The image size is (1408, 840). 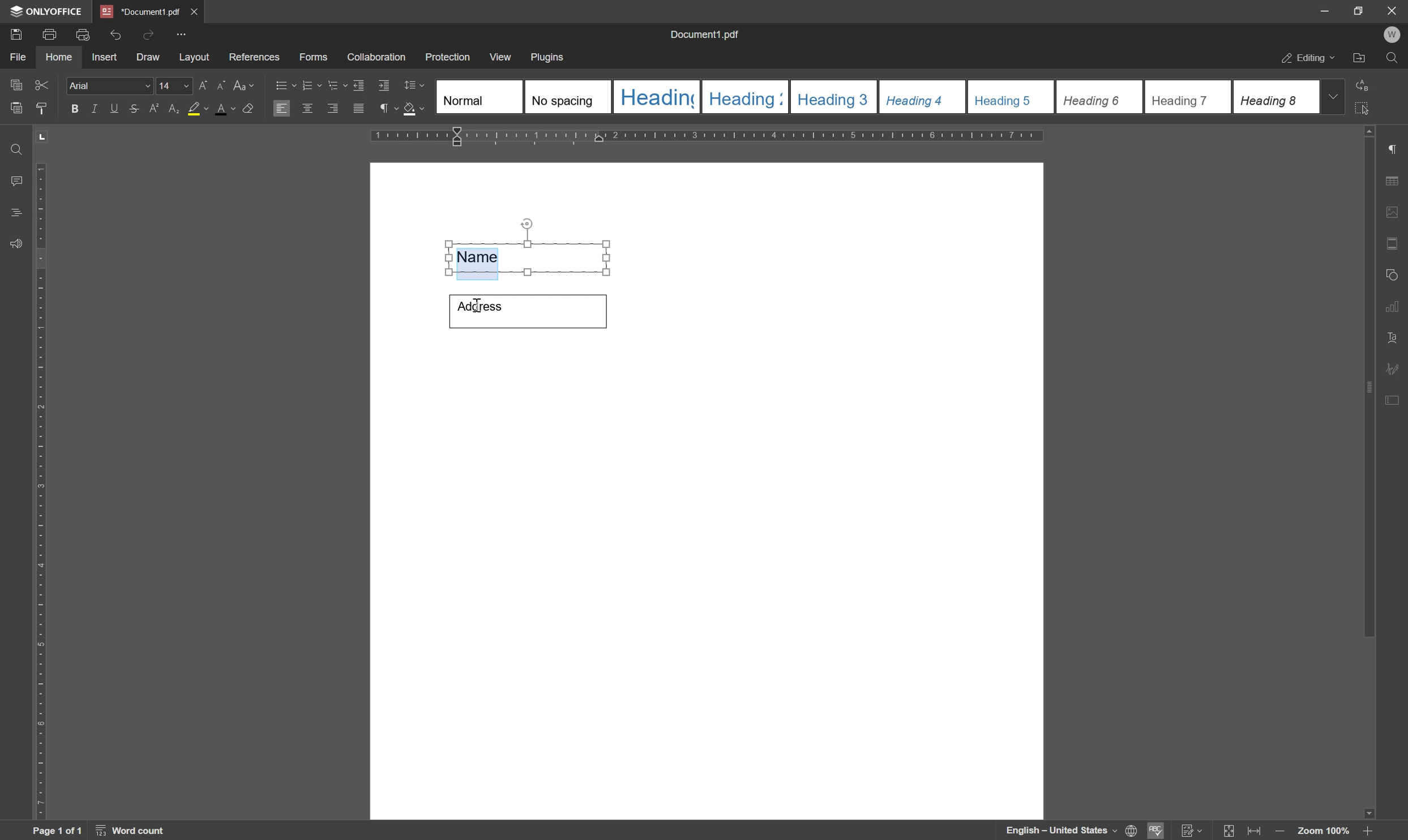 I want to click on copy style, so click(x=42, y=107).